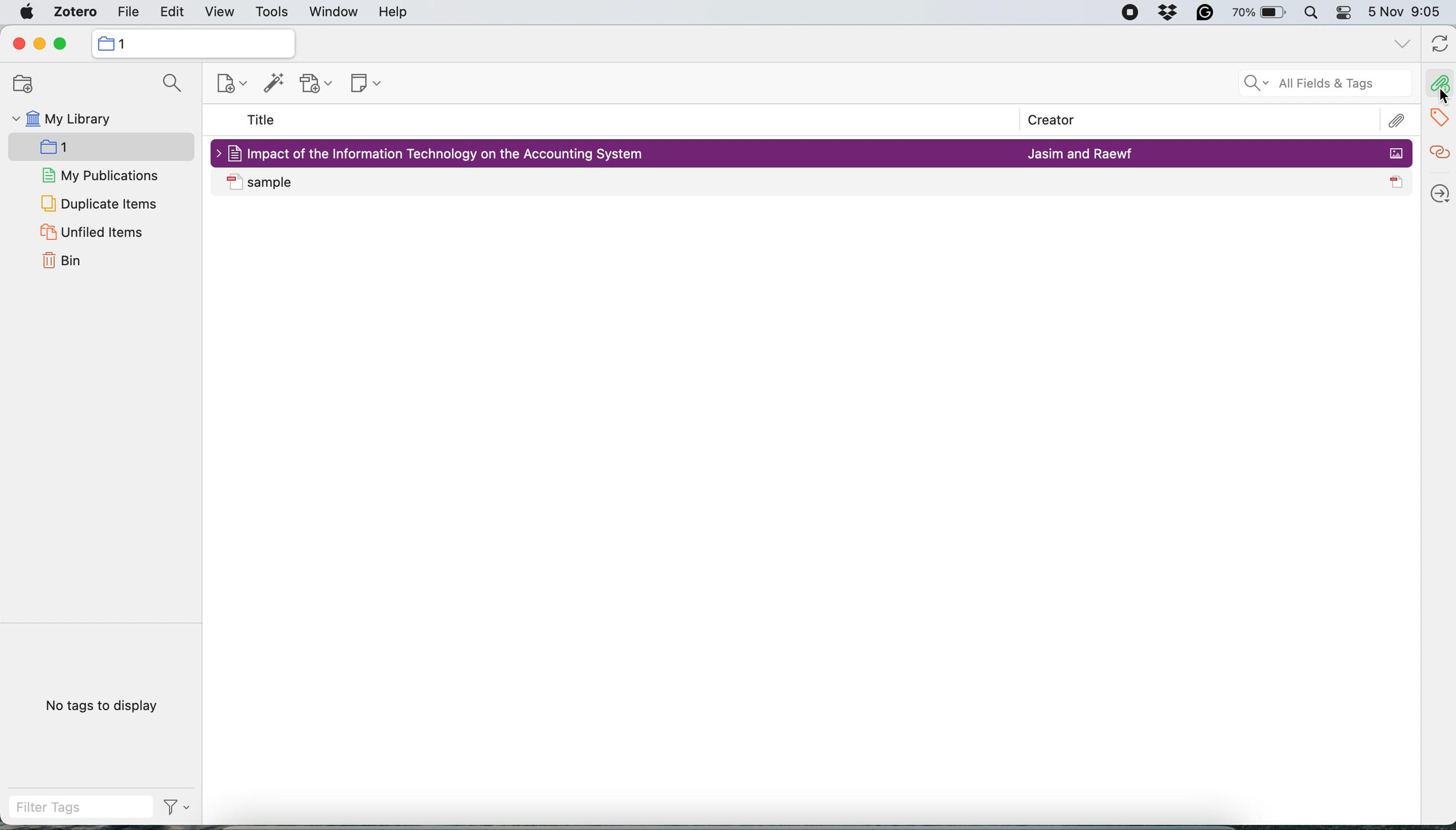 This screenshot has height=830, width=1456. What do you see at coordinates (271, 84) in the screenshot?
I see `add item by identifier` at bounding box center [271, 84].